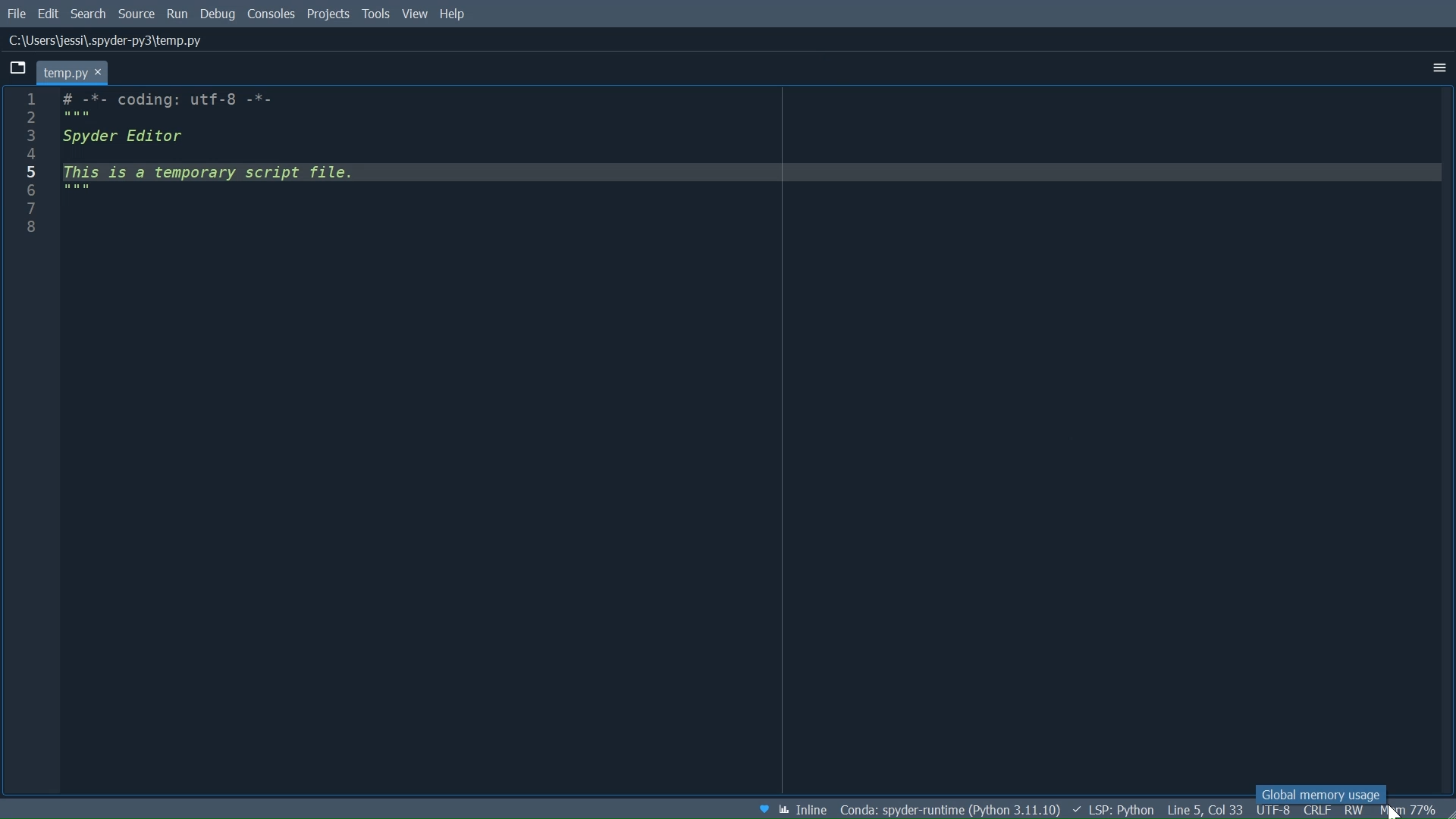  I want to click on File Encoding, so click(1273, 811).